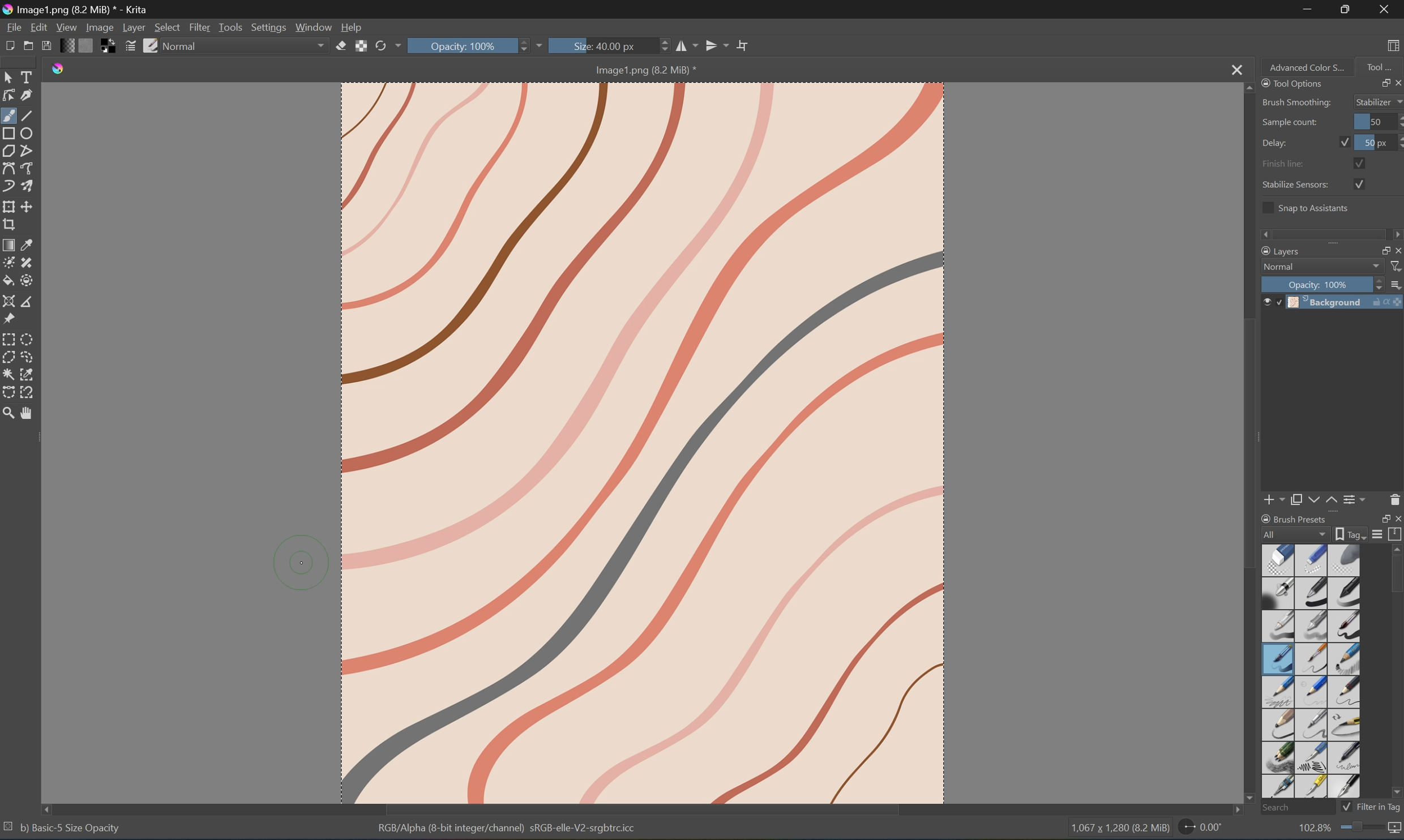  What do you see at coordinates (341, 48) in the screenshot?
I see `Set eraser mode` at bounding box center [341, 48].